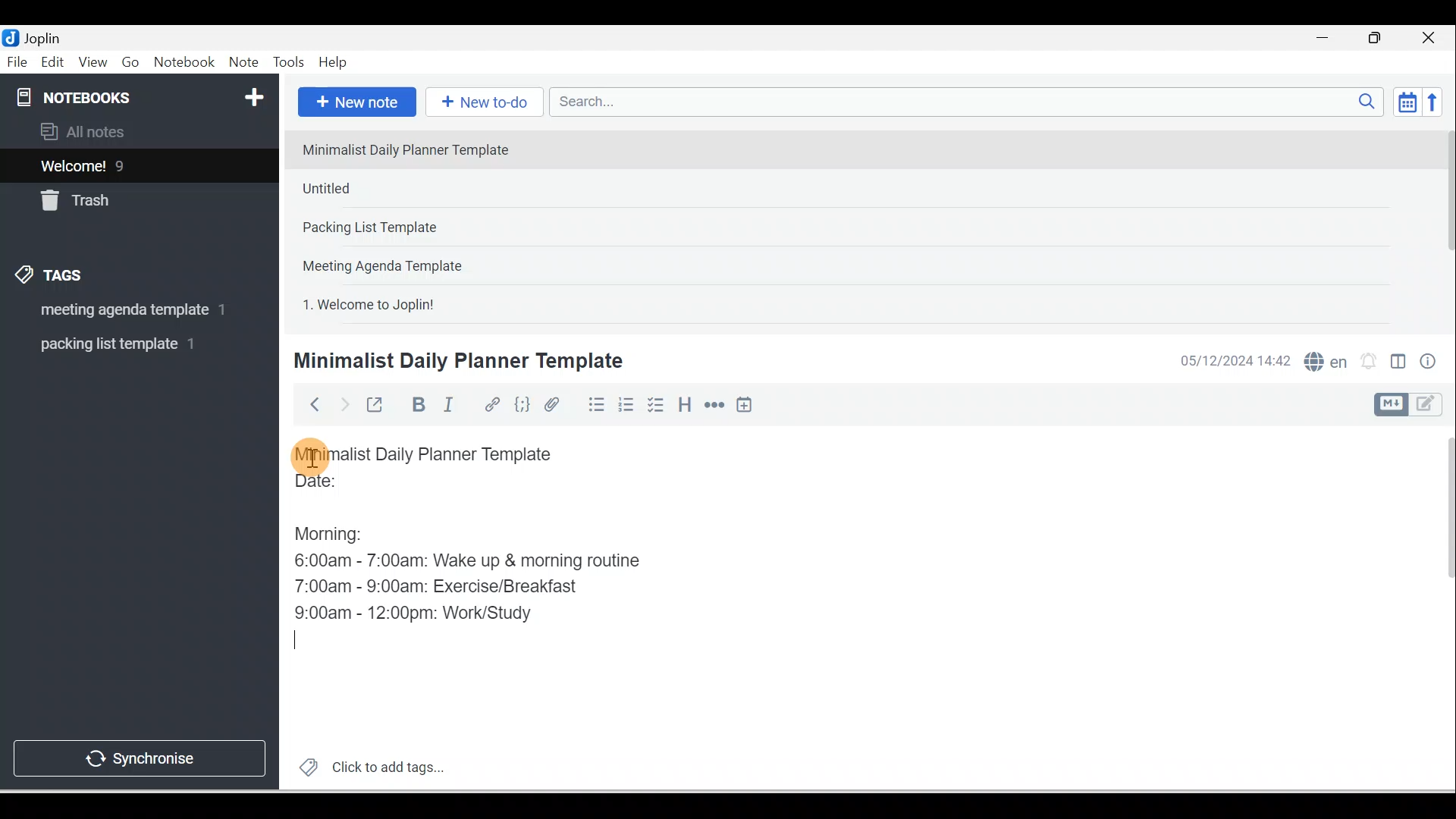 Image resolution: width=1456 pixels, height=819 pixels. I want to click on Attach file, so click(556, 404).